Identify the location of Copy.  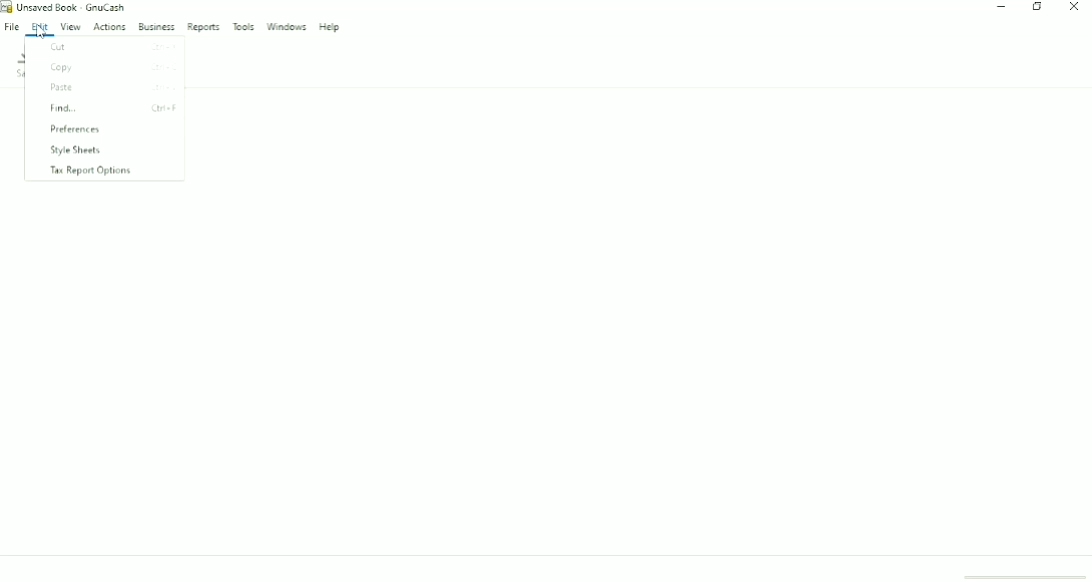
(107, 68).